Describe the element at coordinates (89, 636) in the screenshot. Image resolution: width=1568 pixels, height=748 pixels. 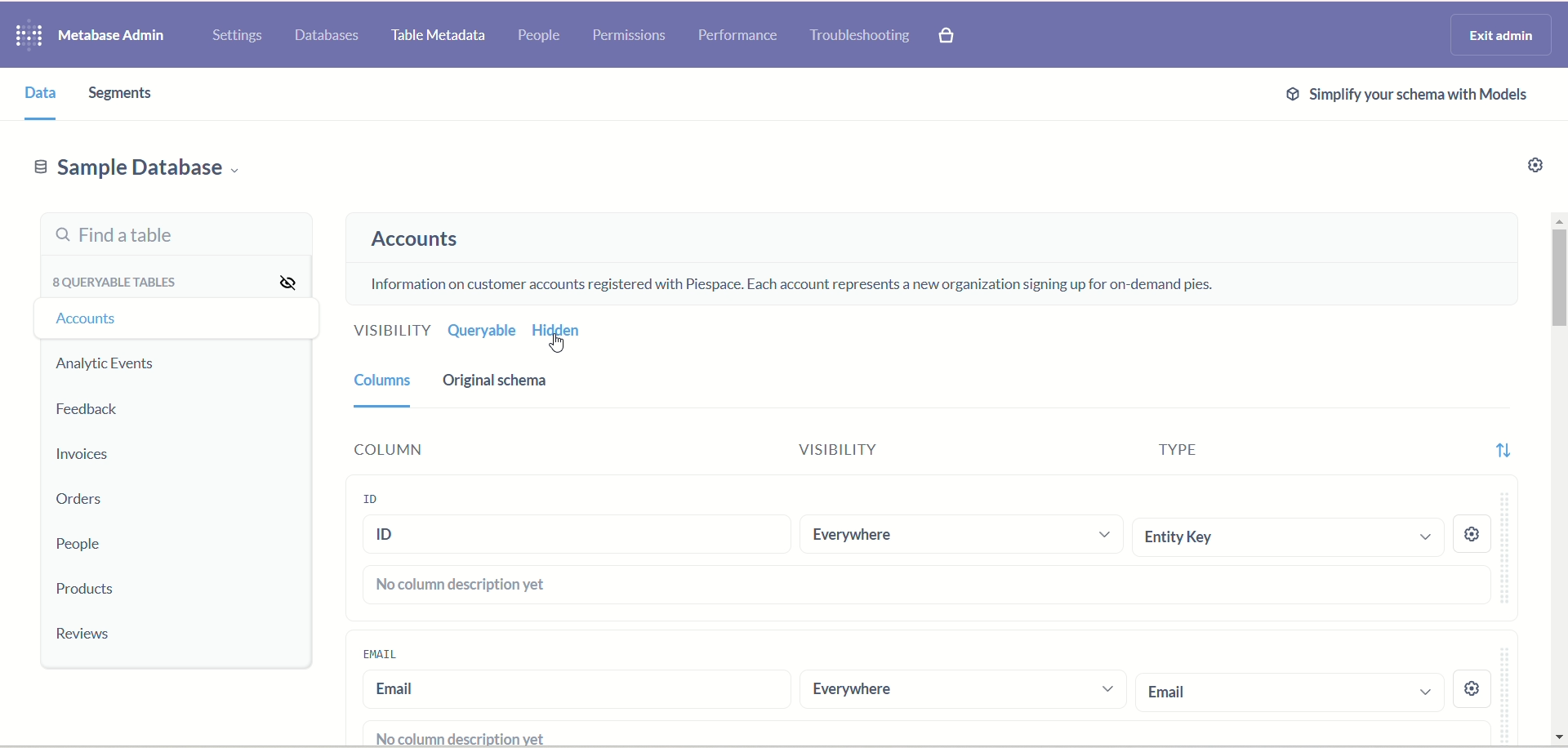
I see `reviews` at that location.